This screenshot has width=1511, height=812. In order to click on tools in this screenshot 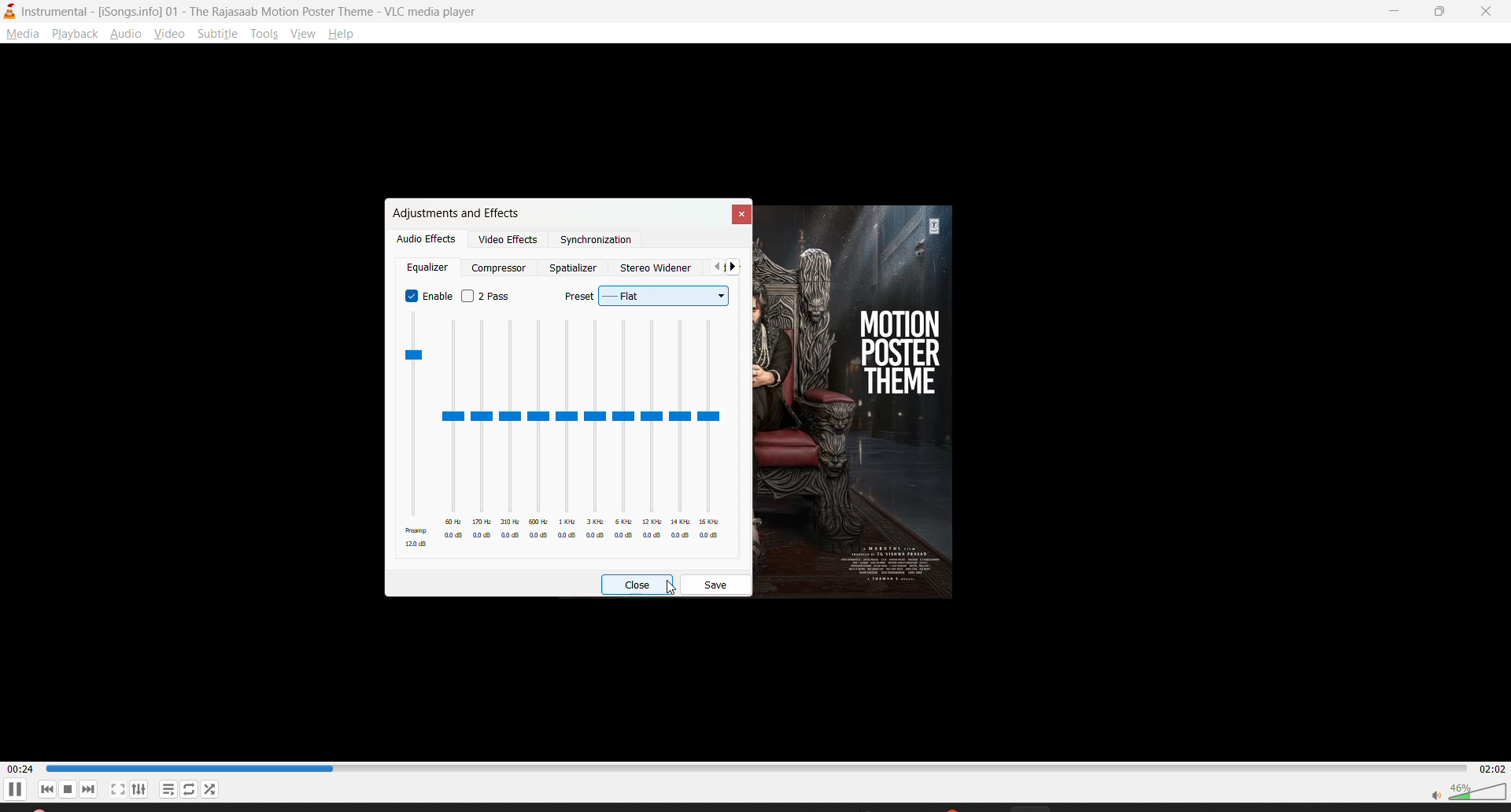, I will do `click(268, 32)`.